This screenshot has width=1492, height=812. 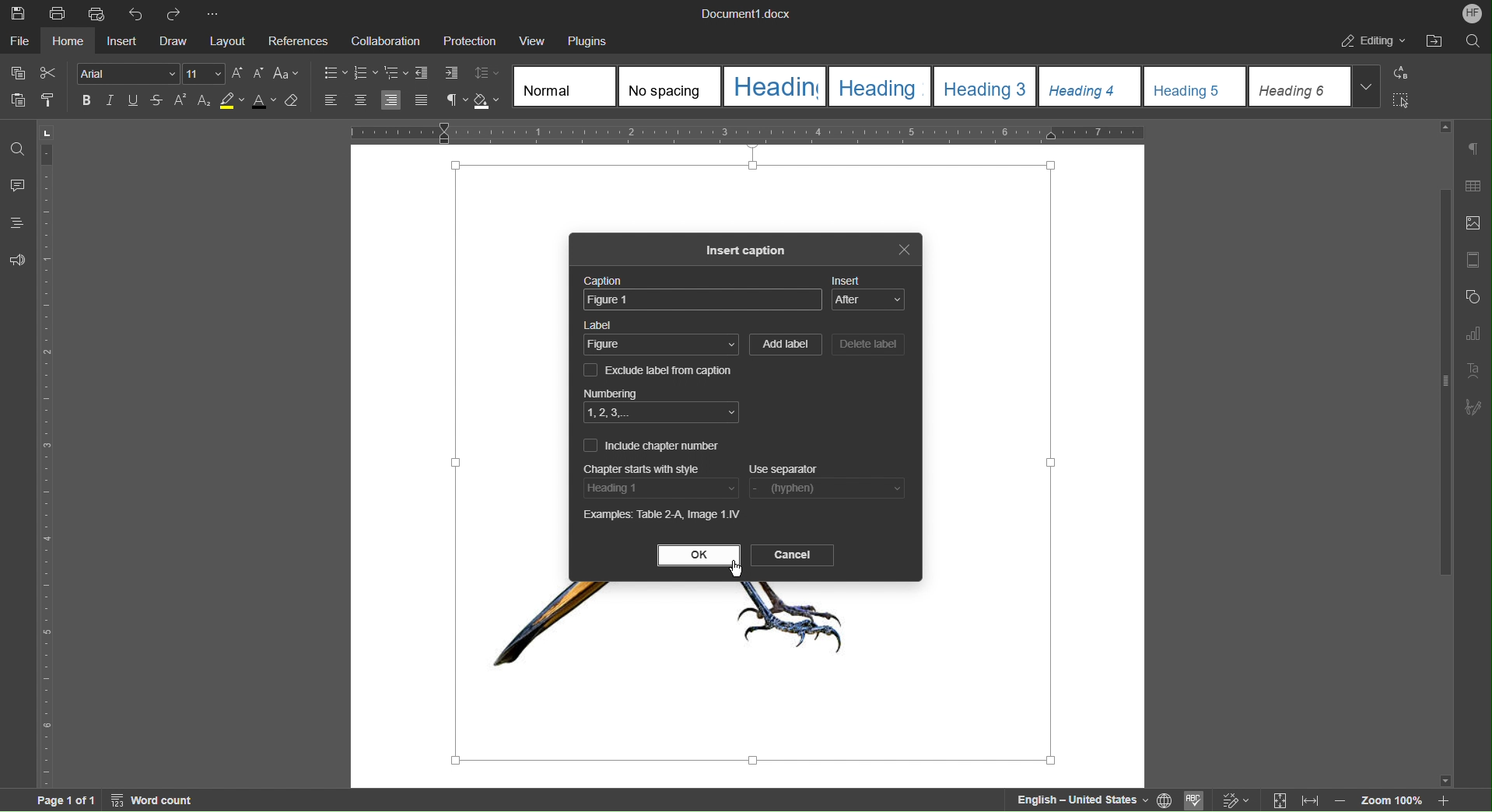 I want to click on Bold, so click(x=88, y=100).